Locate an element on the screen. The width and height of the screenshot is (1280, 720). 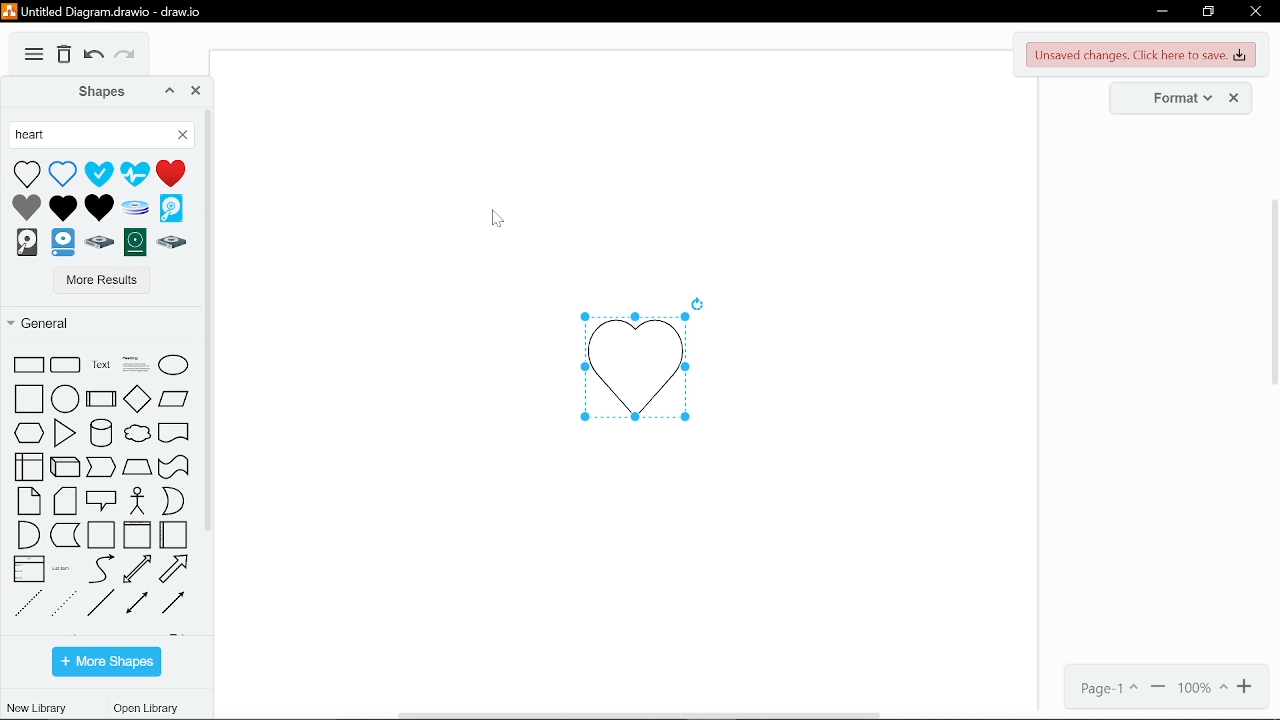
parallelogram is located at coordinates (175, 401).